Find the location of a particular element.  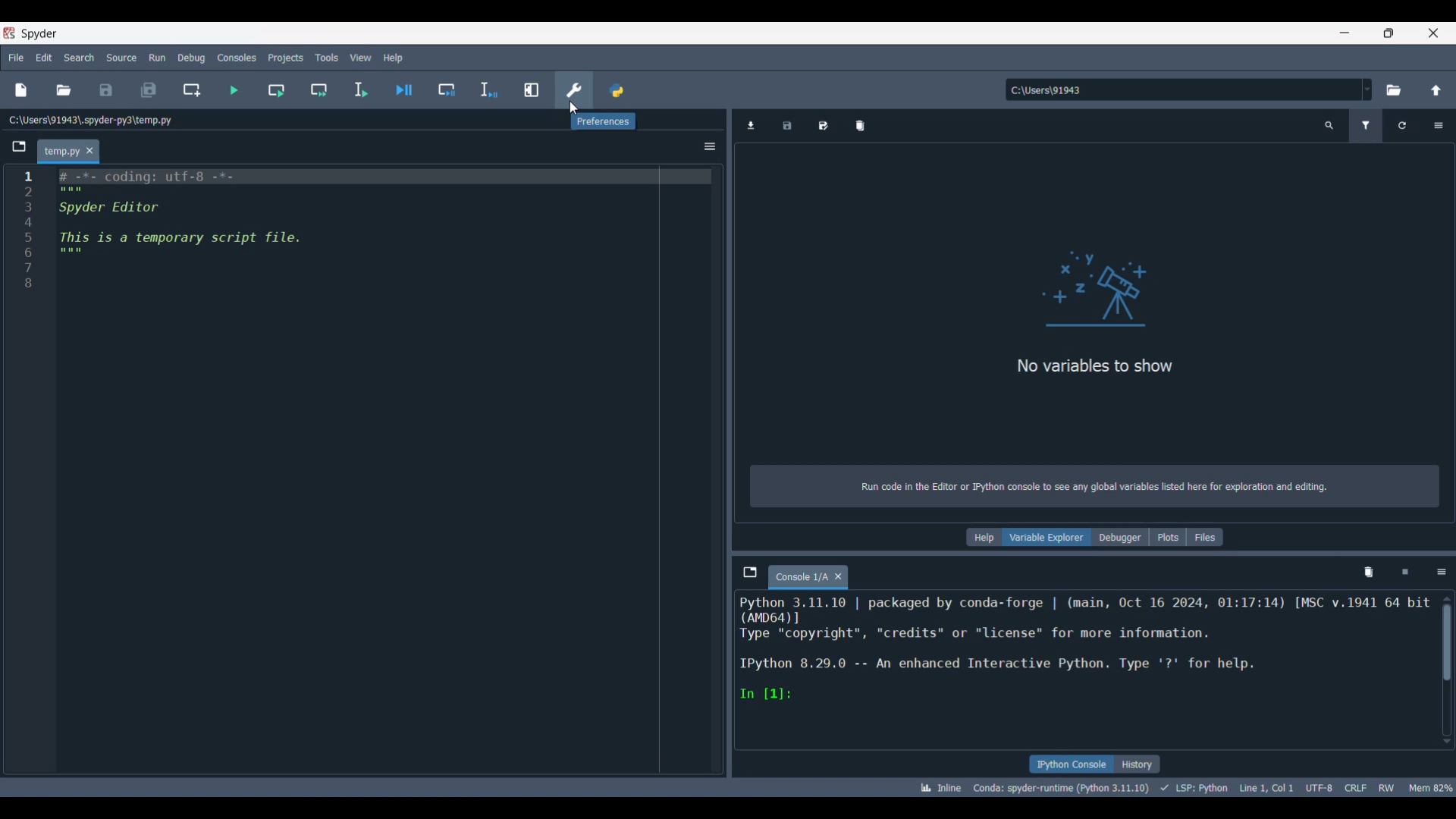

Files is located at coordinates (1205, 537).